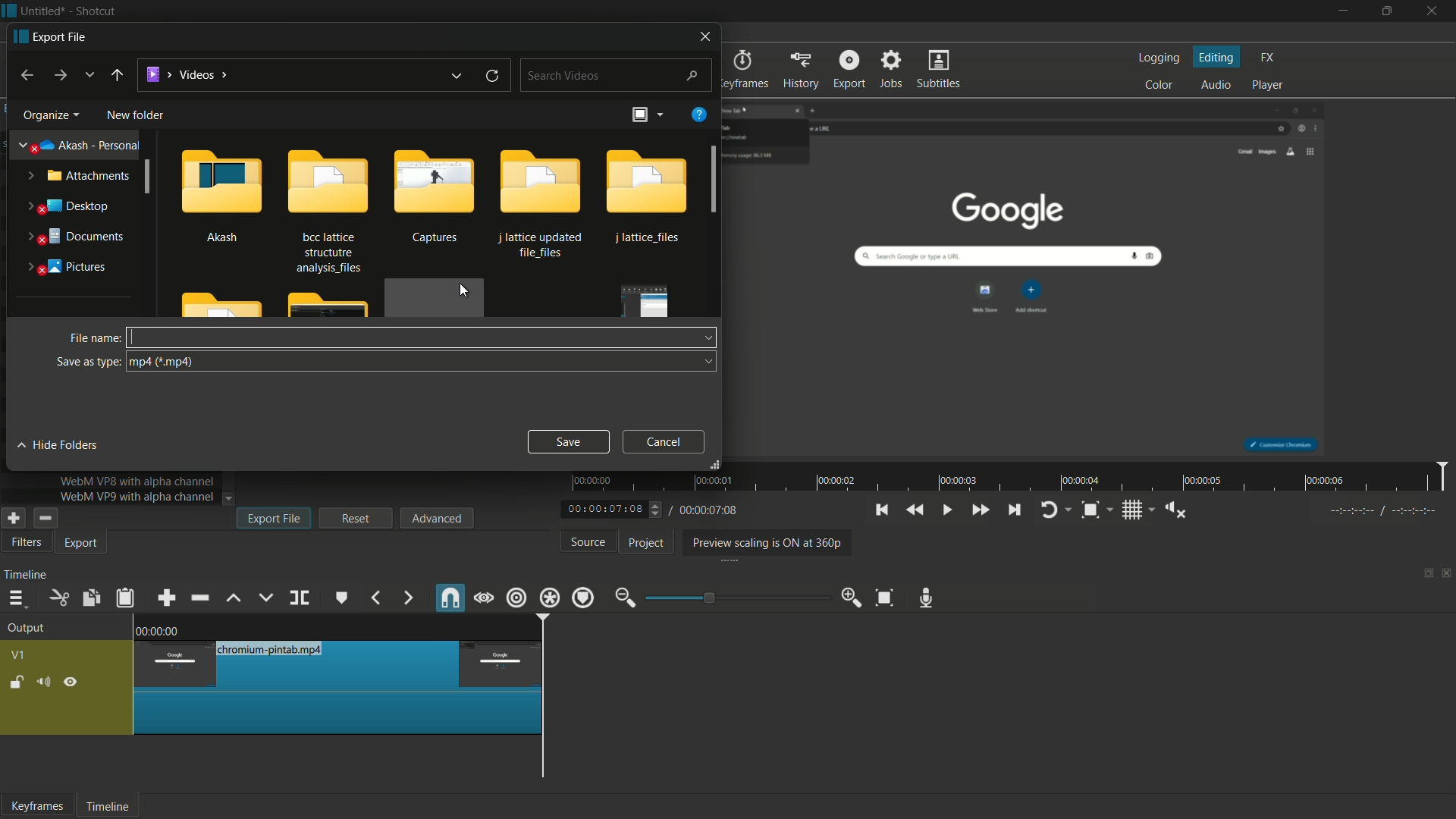  Describe the element at coordinates (707, 35) in the screenshot. I see `close window` at that location.